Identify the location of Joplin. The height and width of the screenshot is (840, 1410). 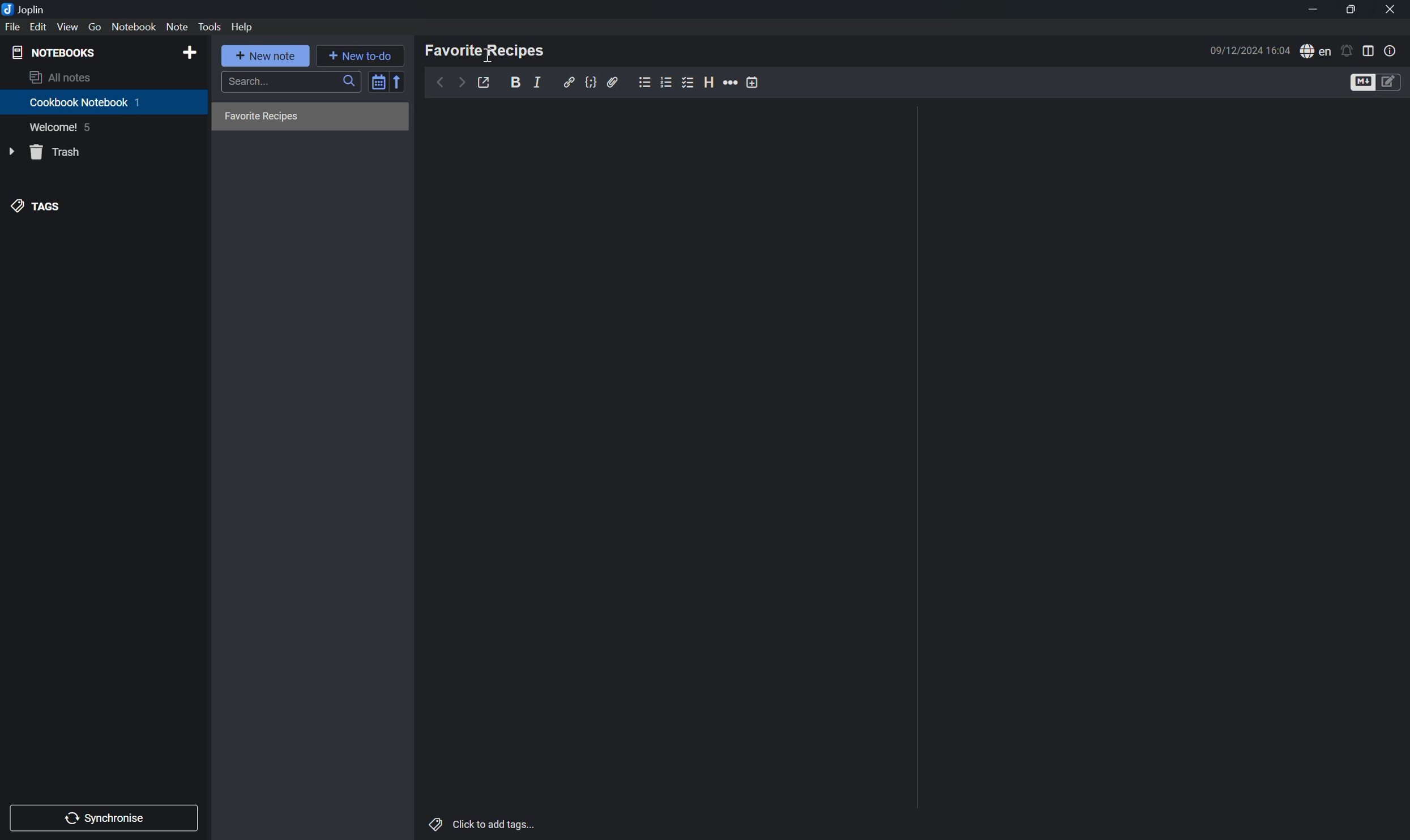
(25, 8).